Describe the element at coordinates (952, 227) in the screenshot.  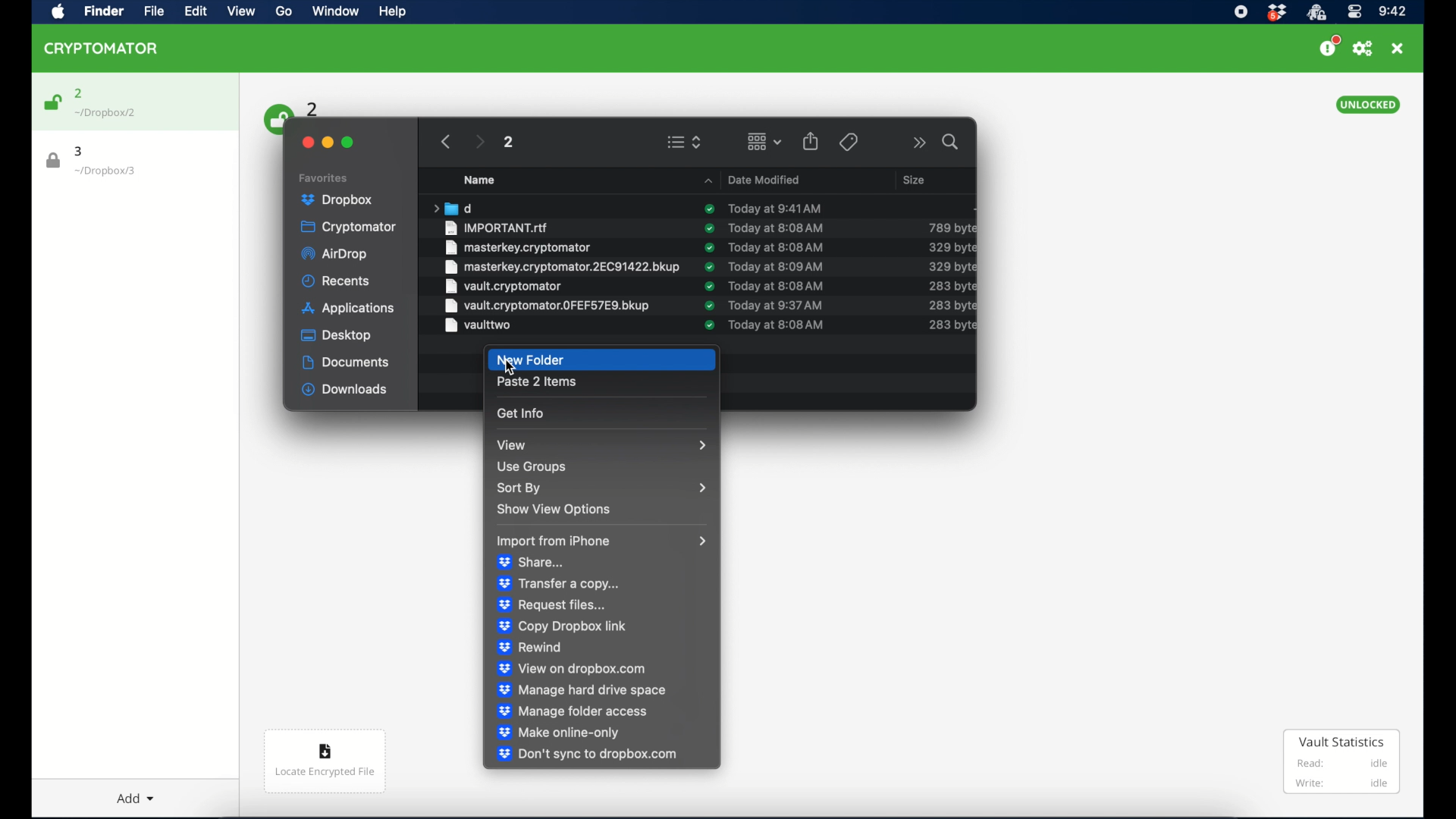
I see `size` at that location.